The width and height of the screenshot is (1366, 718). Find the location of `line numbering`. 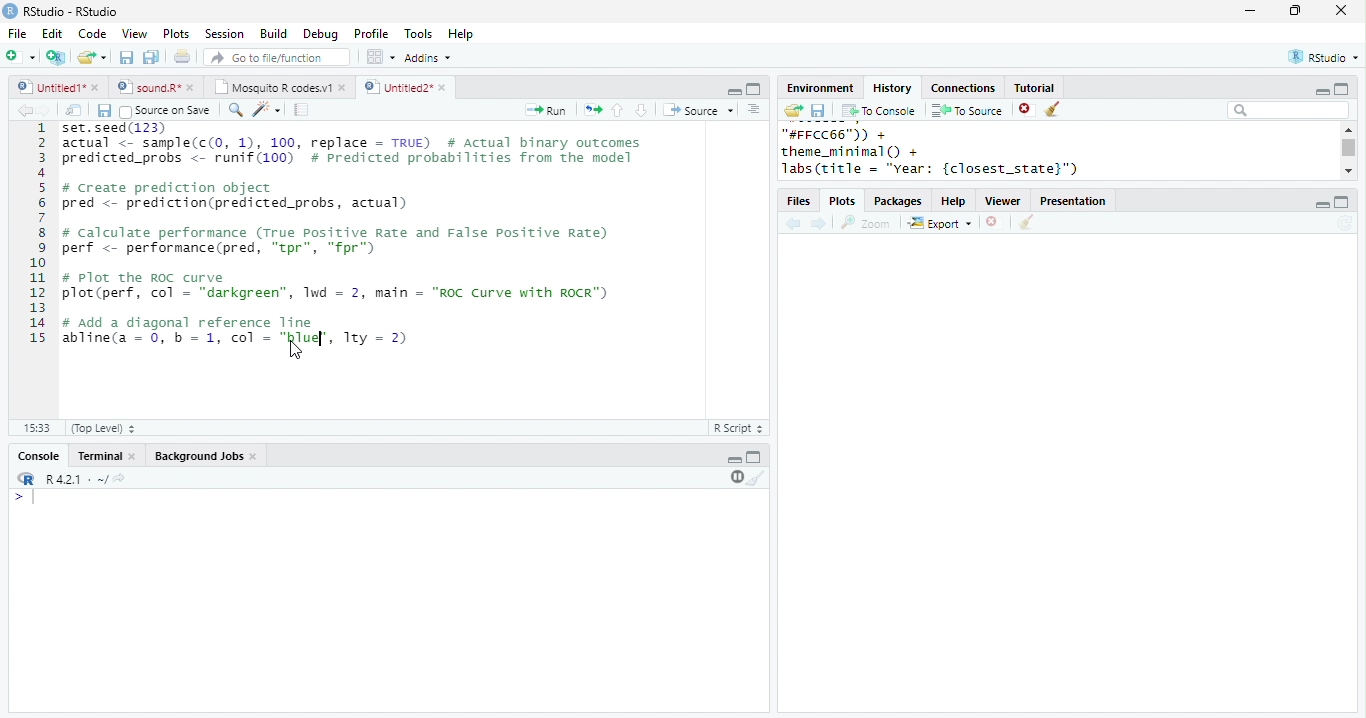

line numbering is located at coordinates (39, 235).